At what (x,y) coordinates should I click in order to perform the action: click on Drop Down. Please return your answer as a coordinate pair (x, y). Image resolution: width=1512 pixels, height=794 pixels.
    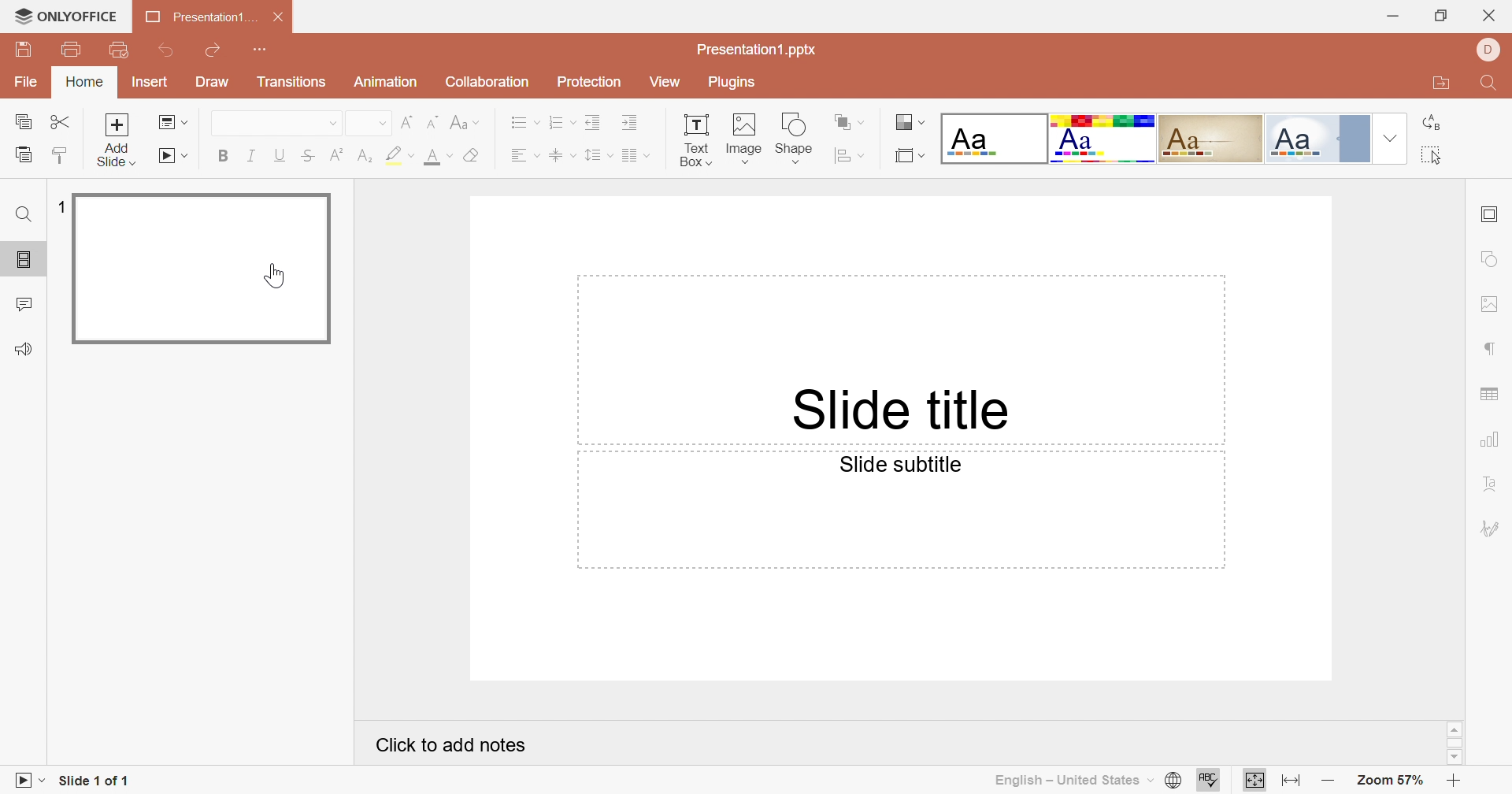
    Looking at the image, I should click on (1151, 781).